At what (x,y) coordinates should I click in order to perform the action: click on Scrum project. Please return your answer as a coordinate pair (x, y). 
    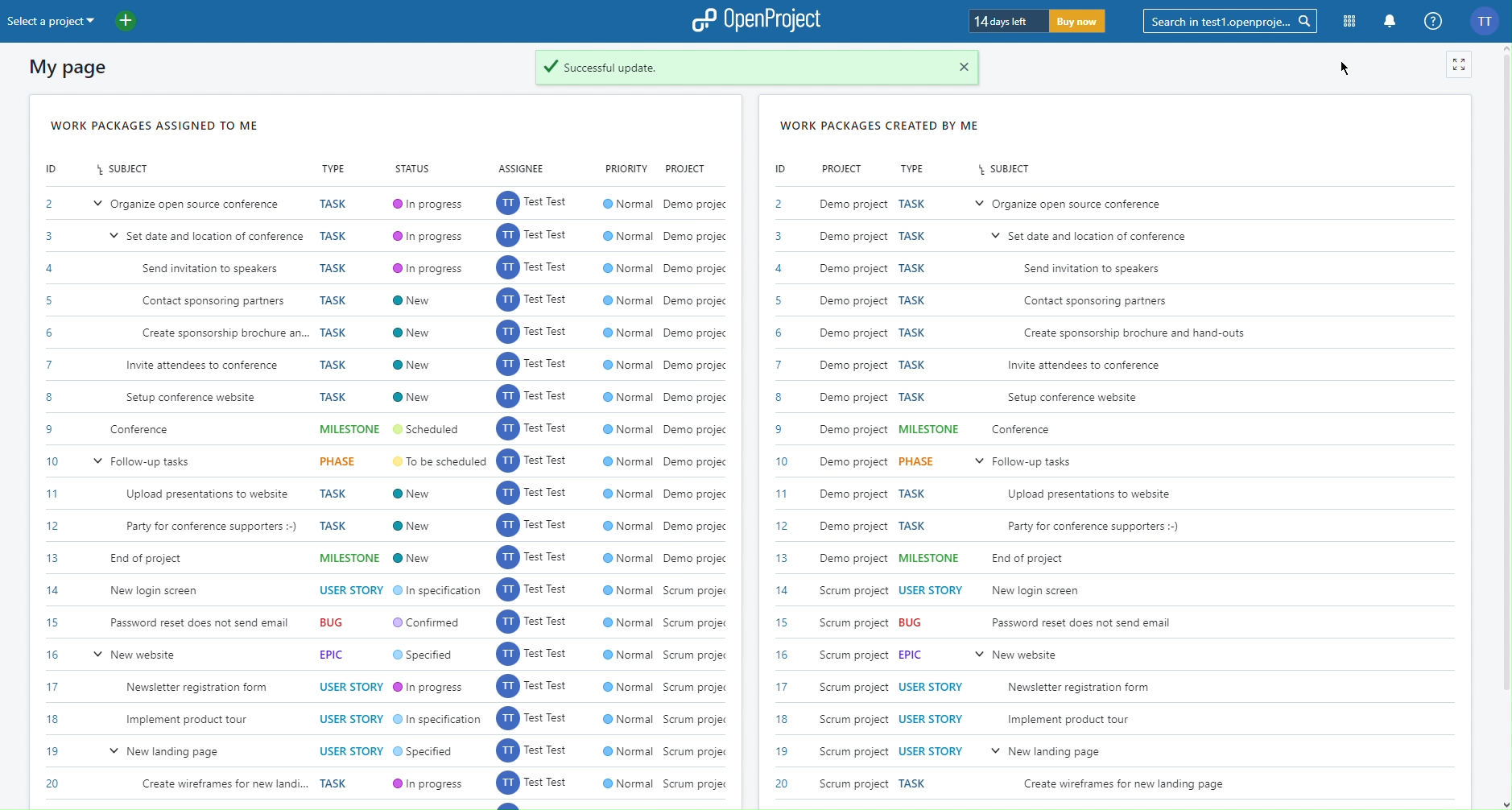
    Looking at the image, I should click on (694, 689).